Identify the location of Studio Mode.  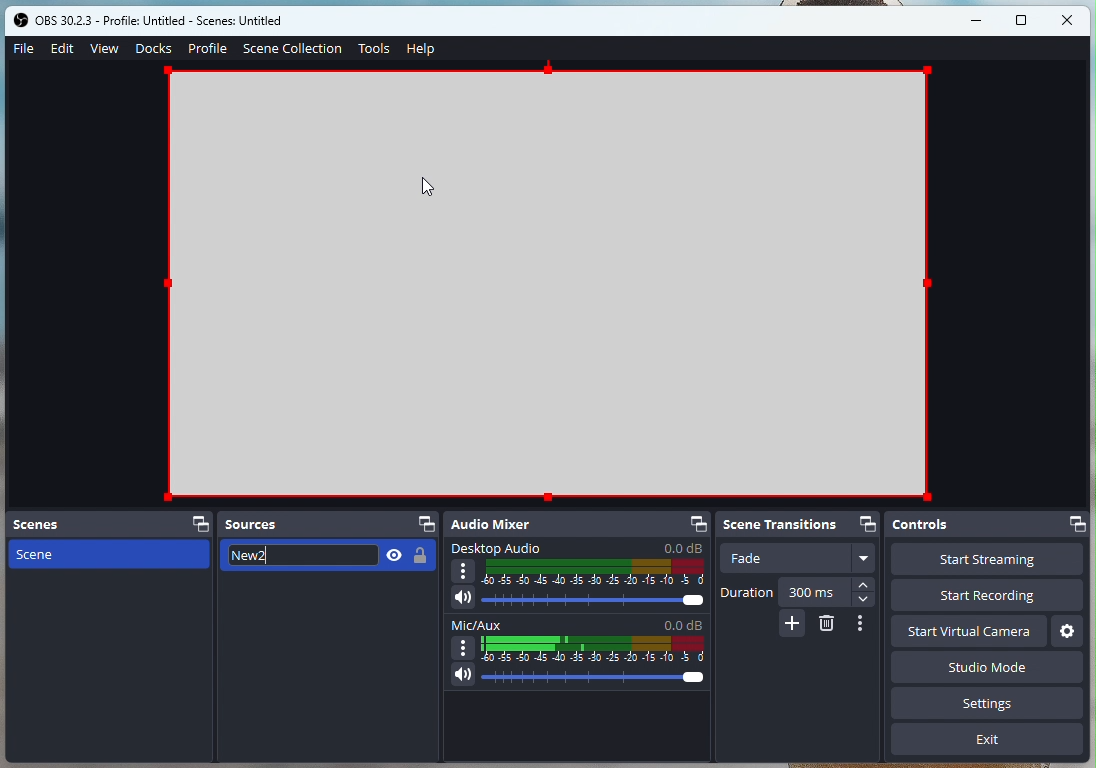
(928, 670).